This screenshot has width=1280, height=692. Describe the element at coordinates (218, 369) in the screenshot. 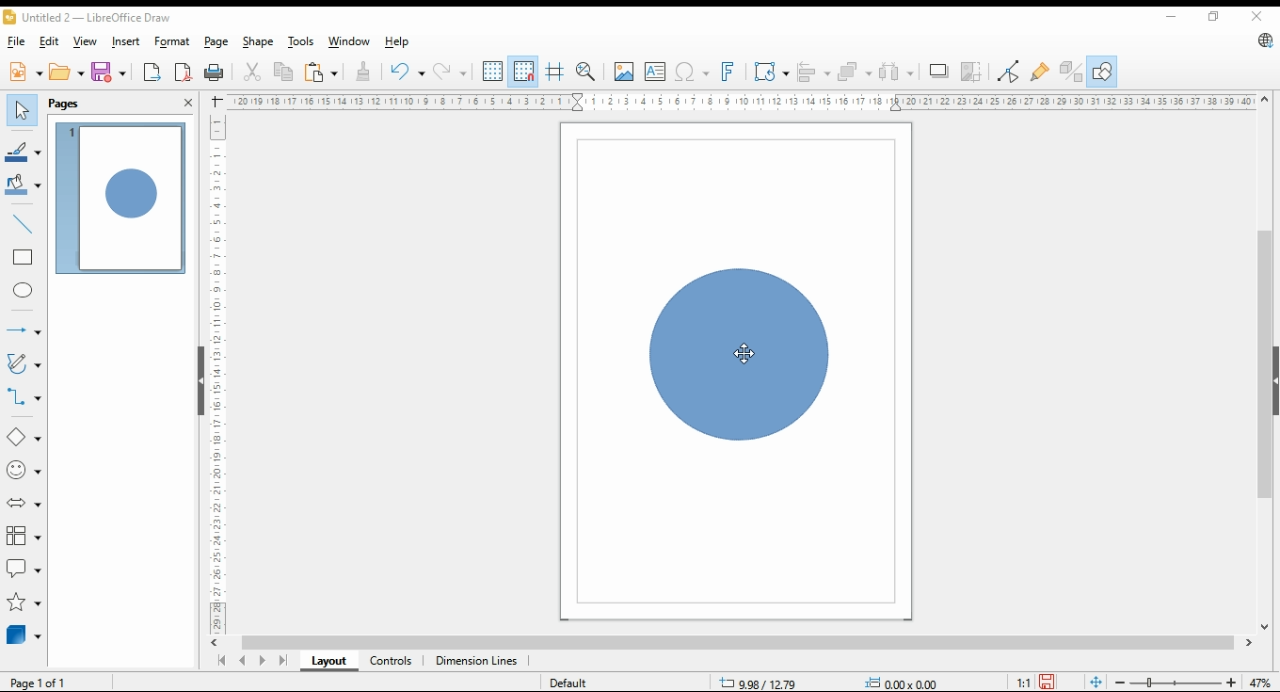

I see `Ruler` at that location.